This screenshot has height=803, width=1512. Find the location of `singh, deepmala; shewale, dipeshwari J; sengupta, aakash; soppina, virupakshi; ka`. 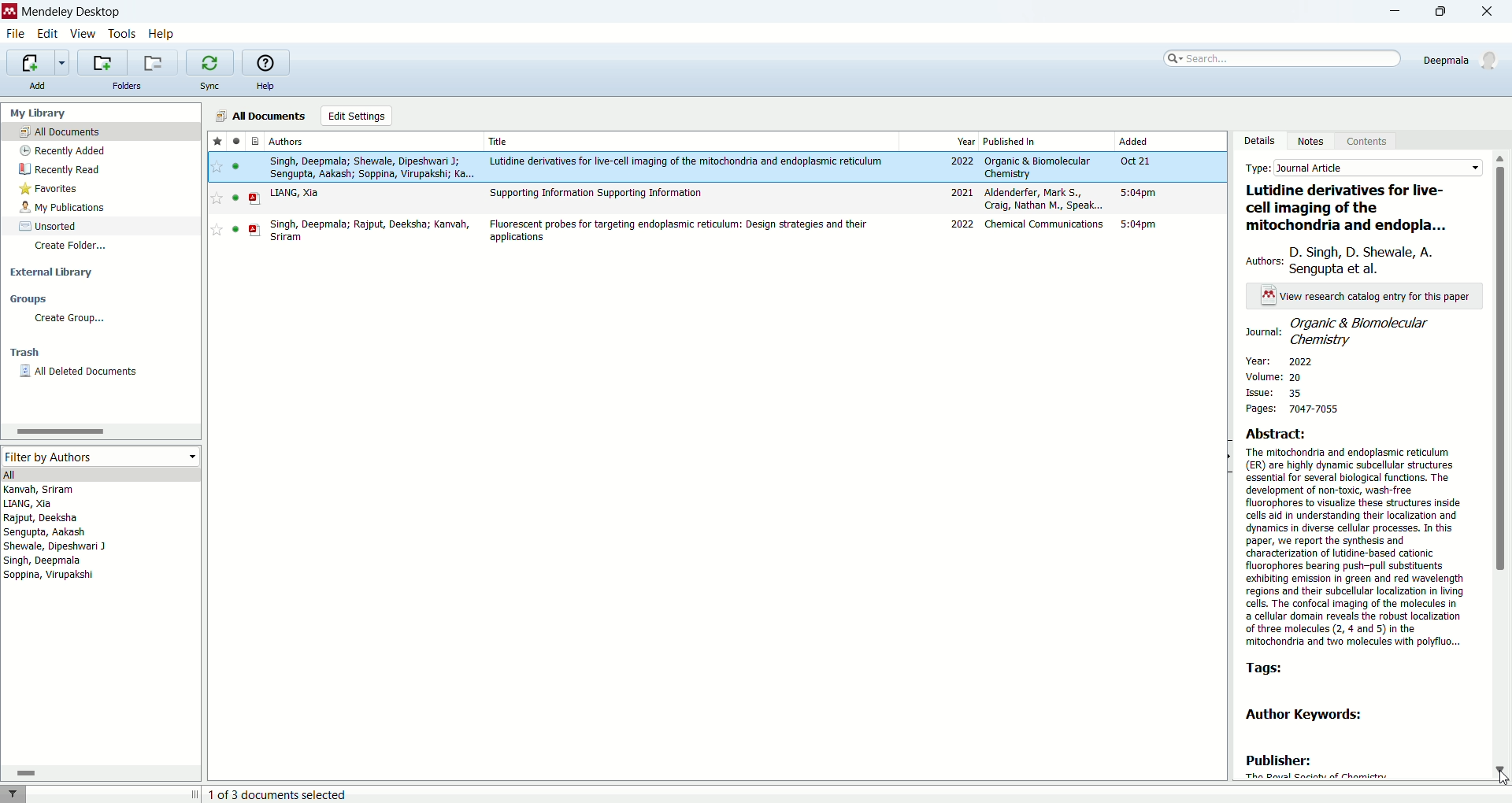

singh, deepmala; shewale, dipeshwari J; sengupta, aakash; soppina, virupakshi; ka is located at coordinates (372, 168).